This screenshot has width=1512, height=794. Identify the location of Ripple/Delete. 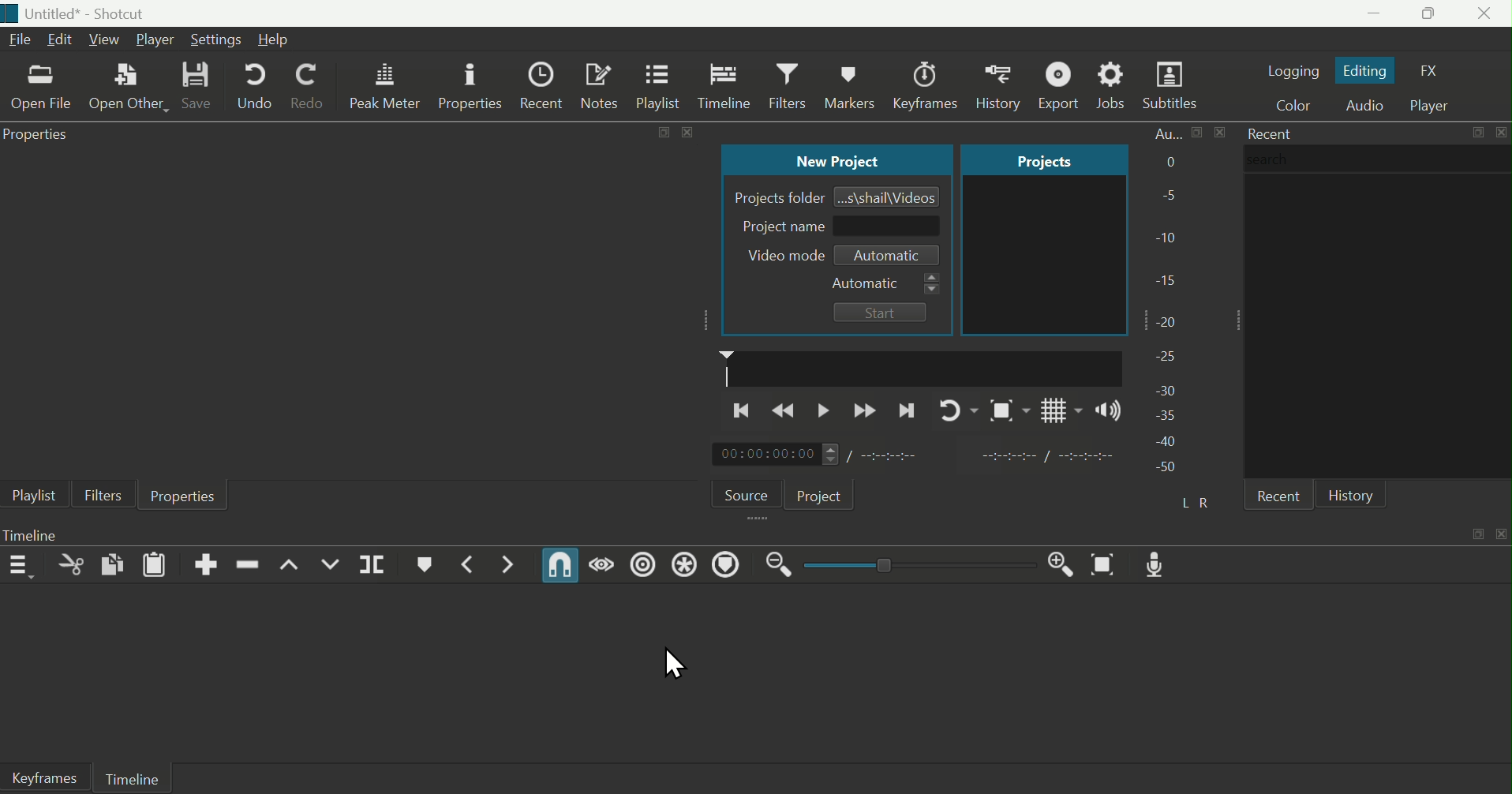
(248, 564).